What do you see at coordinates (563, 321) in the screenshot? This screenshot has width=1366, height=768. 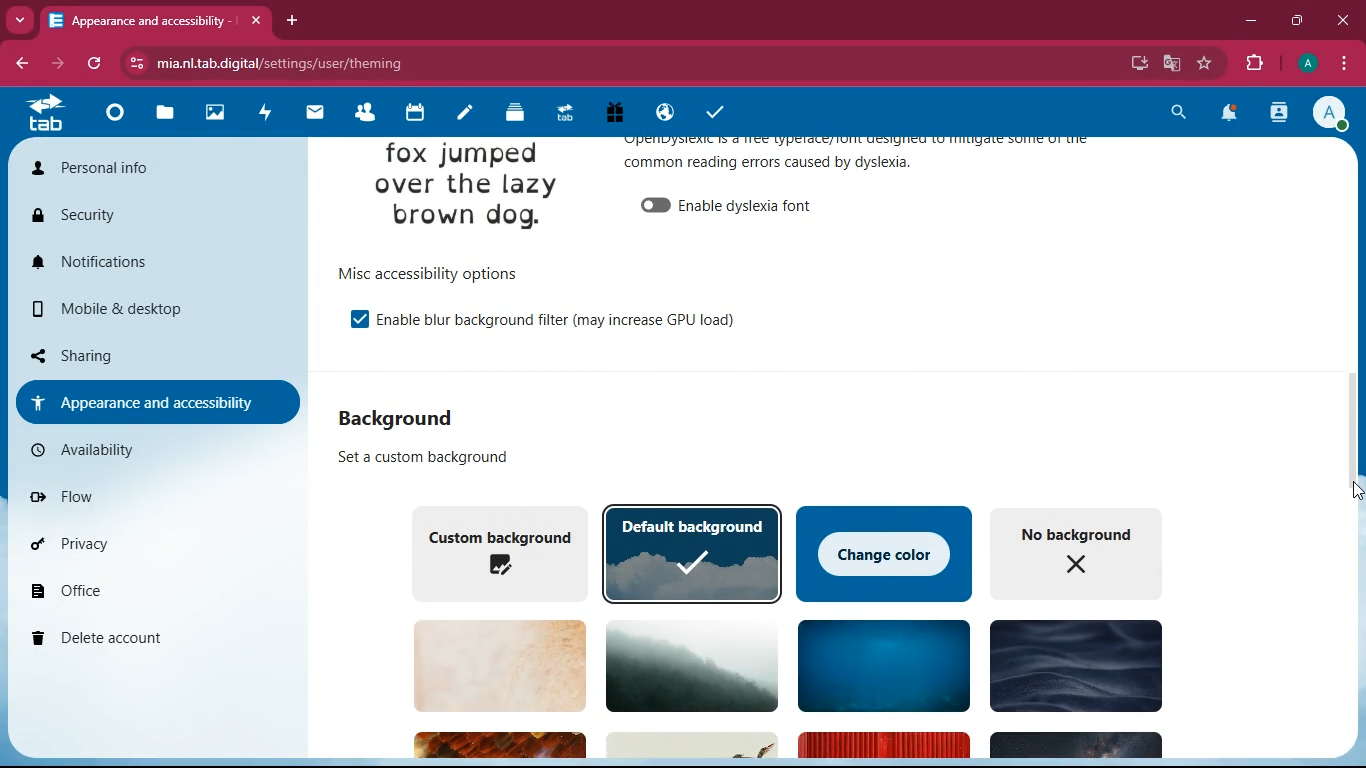 I see `enable` at bounding box center [563, 321].